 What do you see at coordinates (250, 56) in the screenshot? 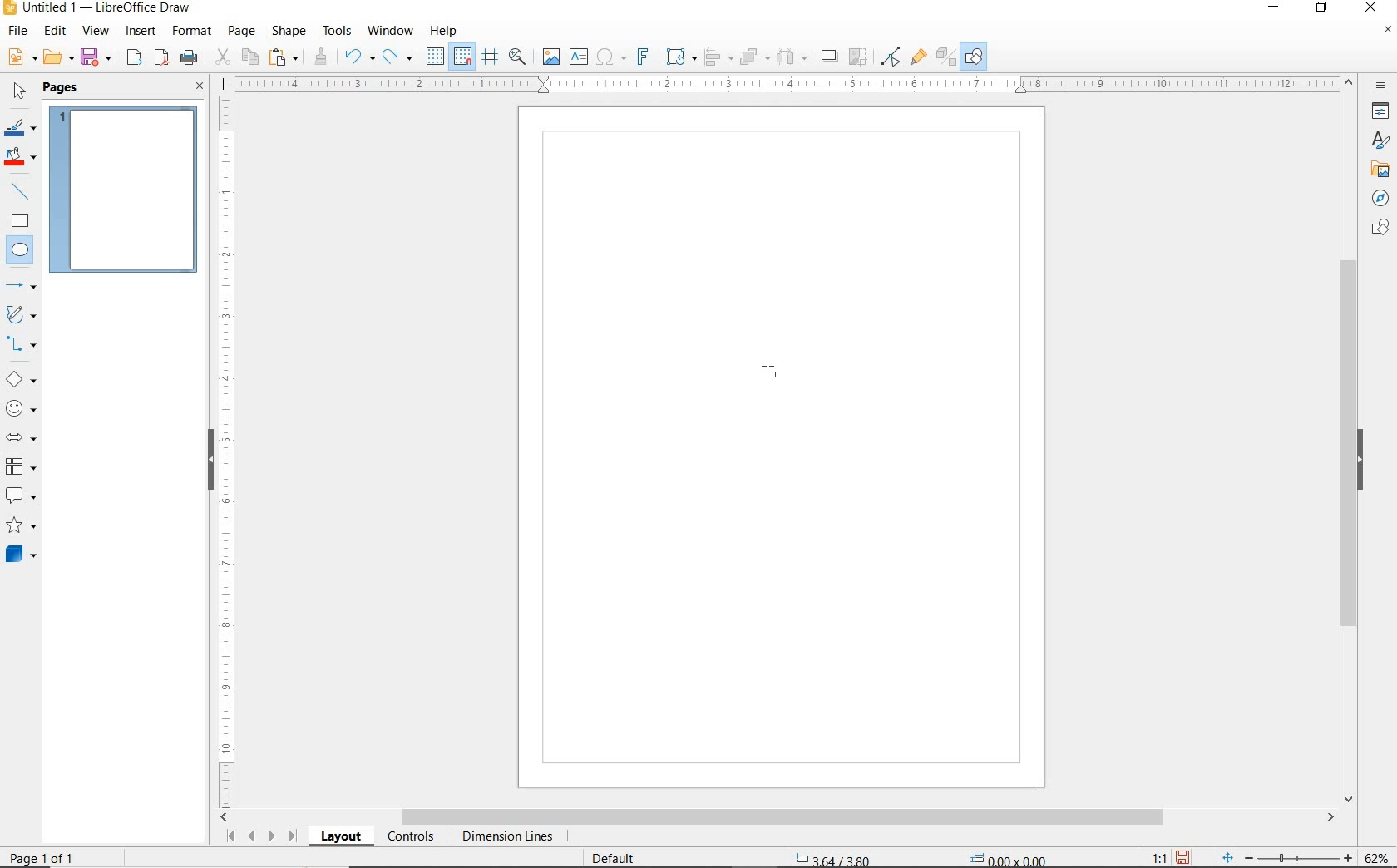
I see `COPY` at bounding box center [250, 56].